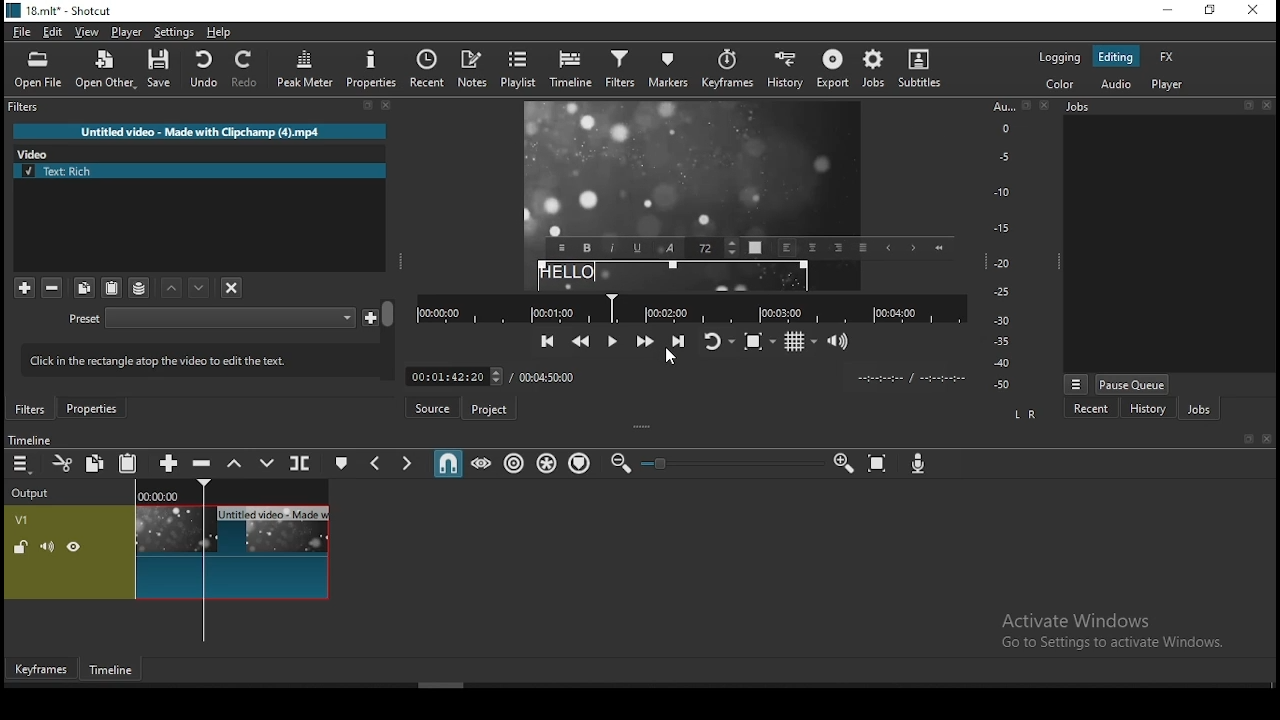  I want to click on zoom timeline in, so click(842, 462).